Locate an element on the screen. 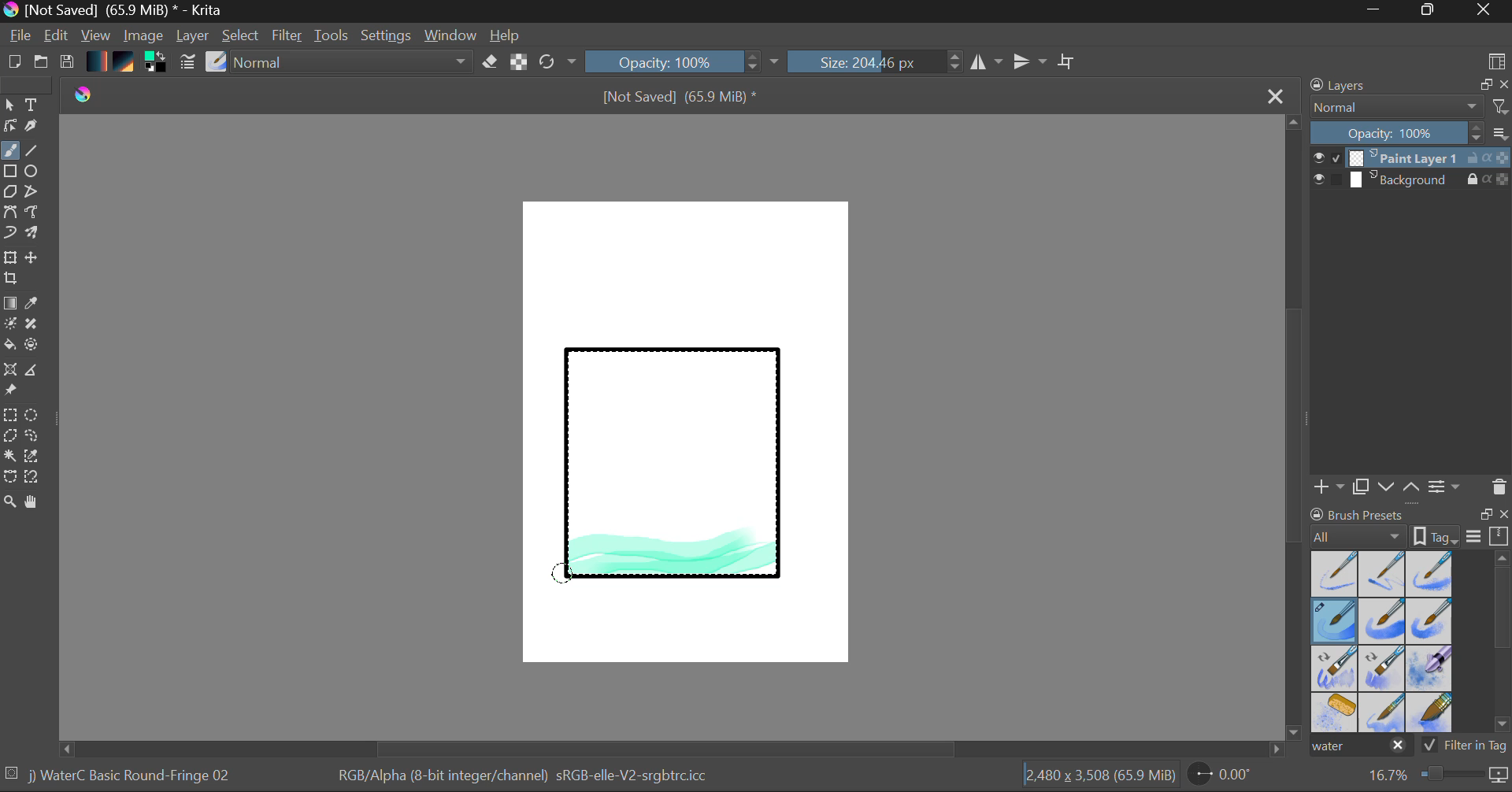  Choose Workspace is located at coordinates (1496, 60).